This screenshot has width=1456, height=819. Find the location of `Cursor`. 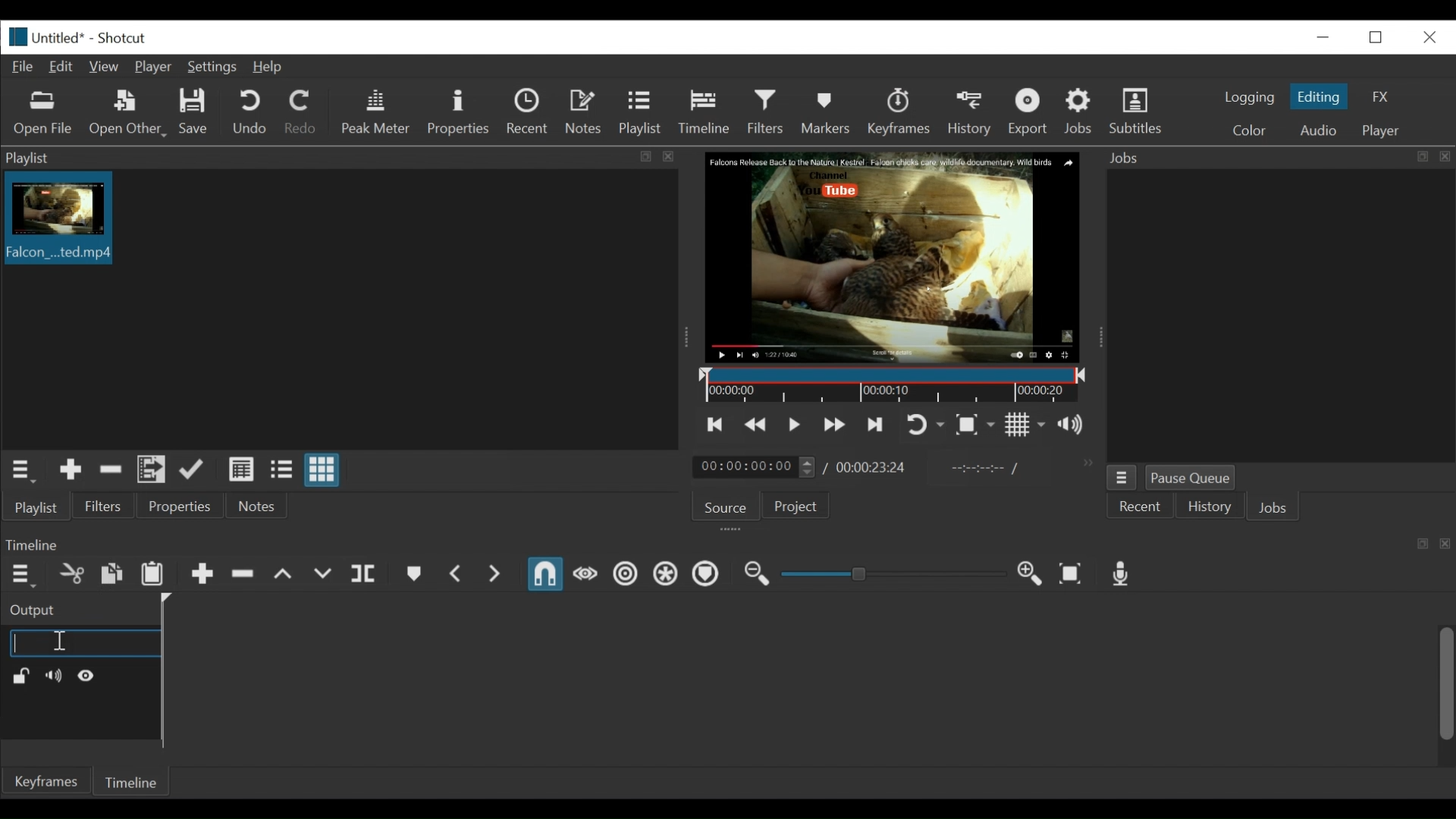

Cursor is located at coordinates (59, 641).